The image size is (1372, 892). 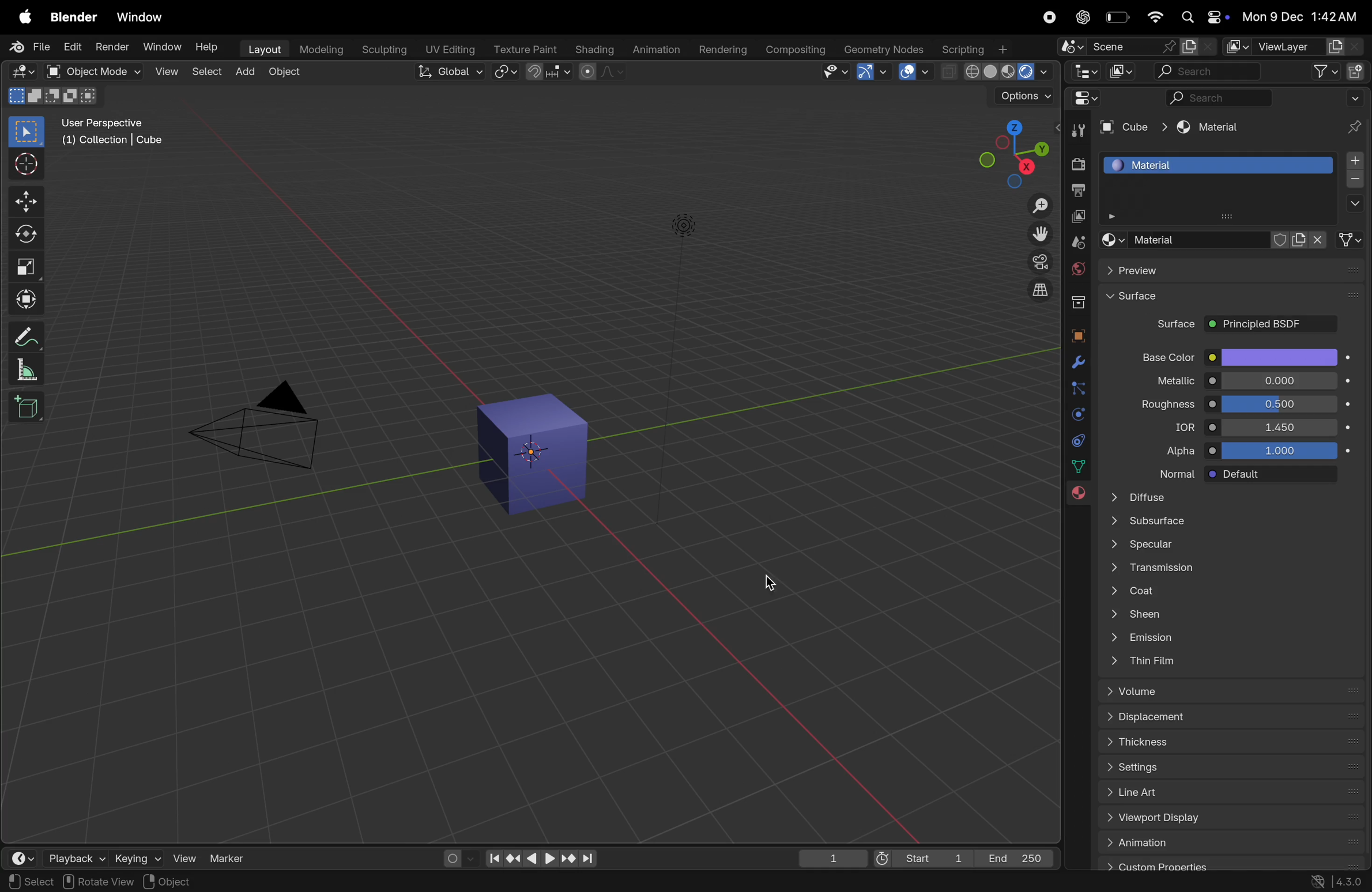 What do you see at coordinates (1226, 864) in the screenshot?
I see `custom properties` at bounding box center [1226, 864].